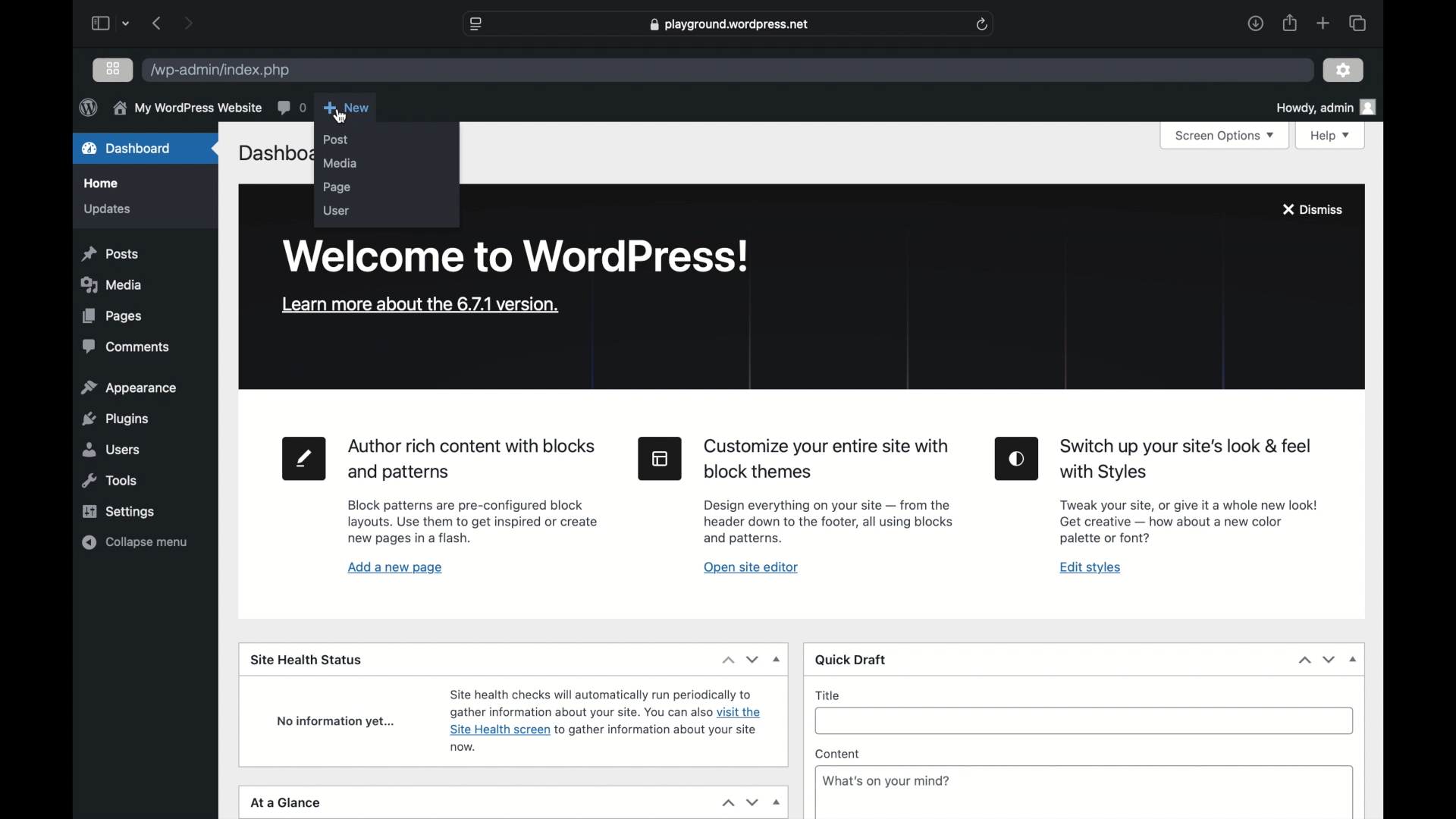 The height and width of the screenshot is (819, 1456). I want to click on Learn more about the version 6.7.1, so click(417, 304).